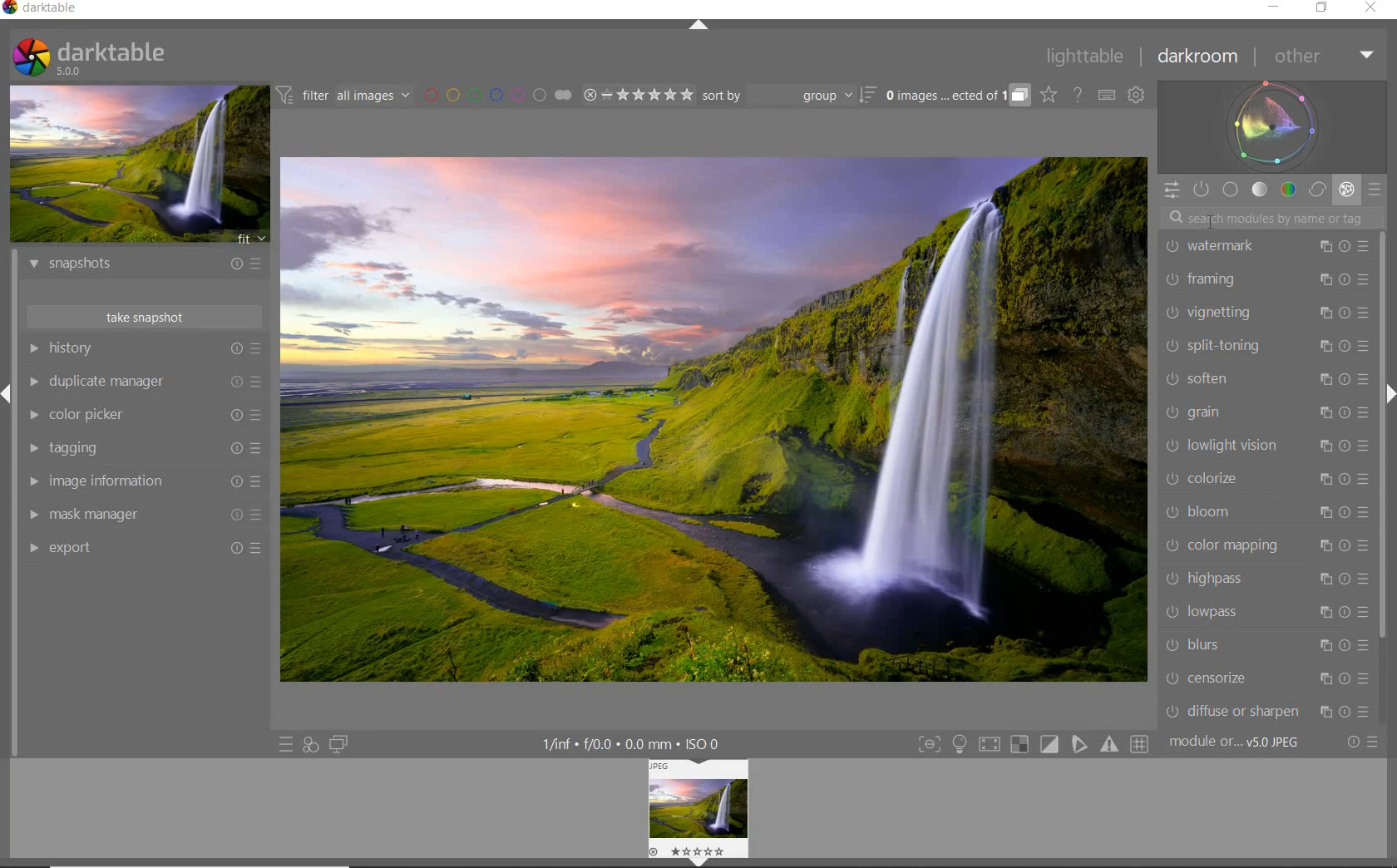  Describe the element at coordinates (1320, 56) in the screenshot. I see `other` at that location.